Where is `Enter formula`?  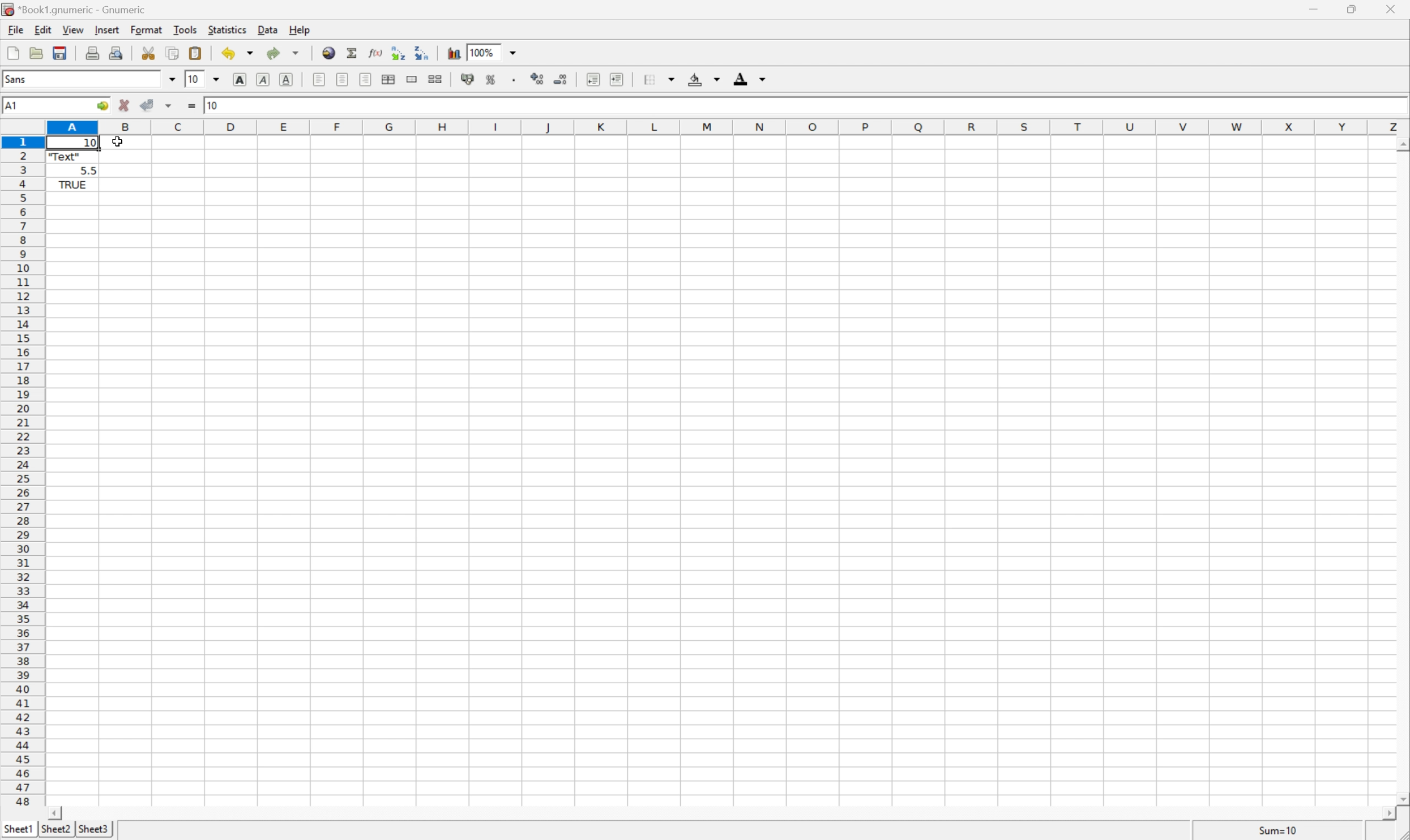
Enter formula is located at coordinates (191, 106).